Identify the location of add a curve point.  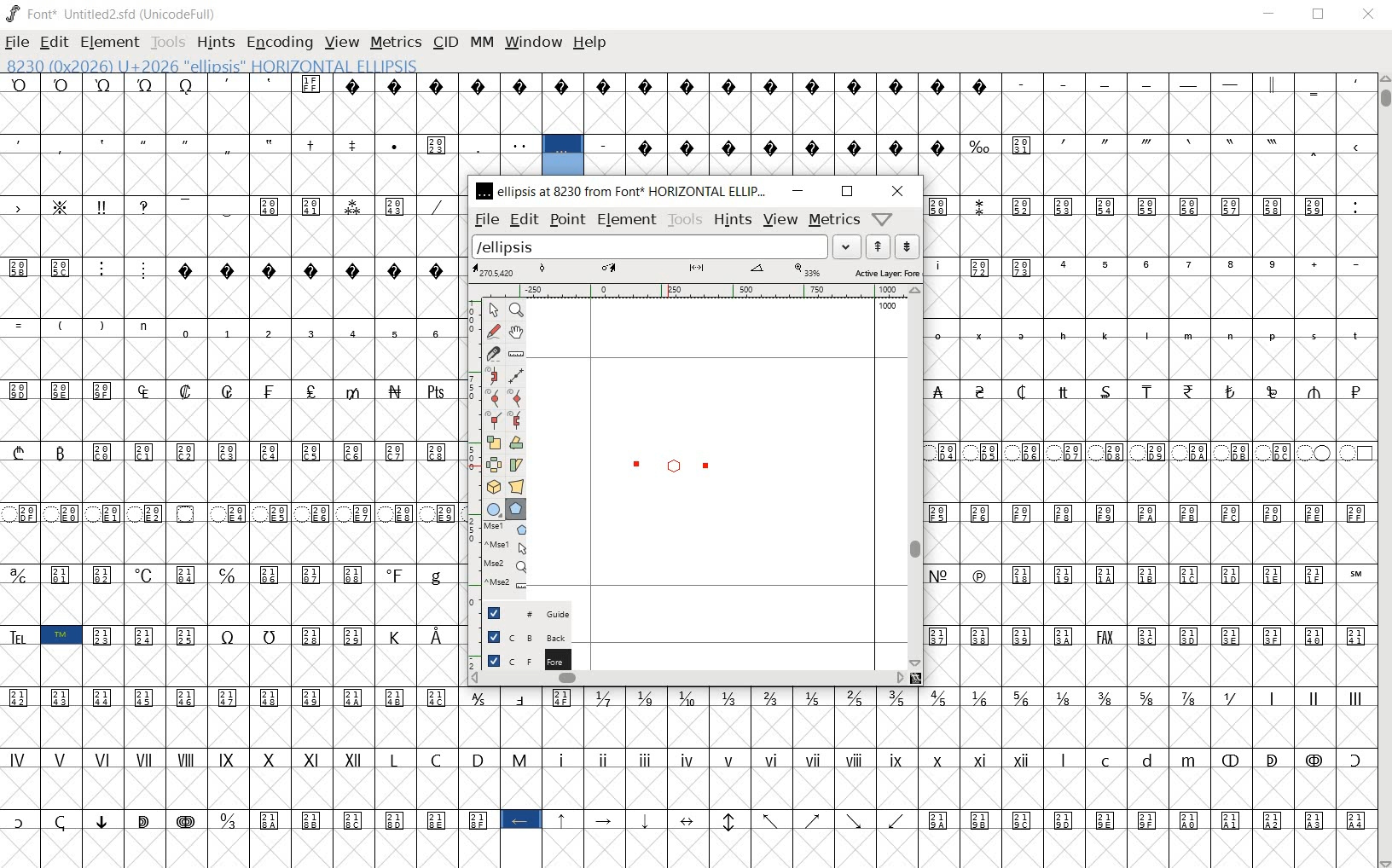
(493, 396).